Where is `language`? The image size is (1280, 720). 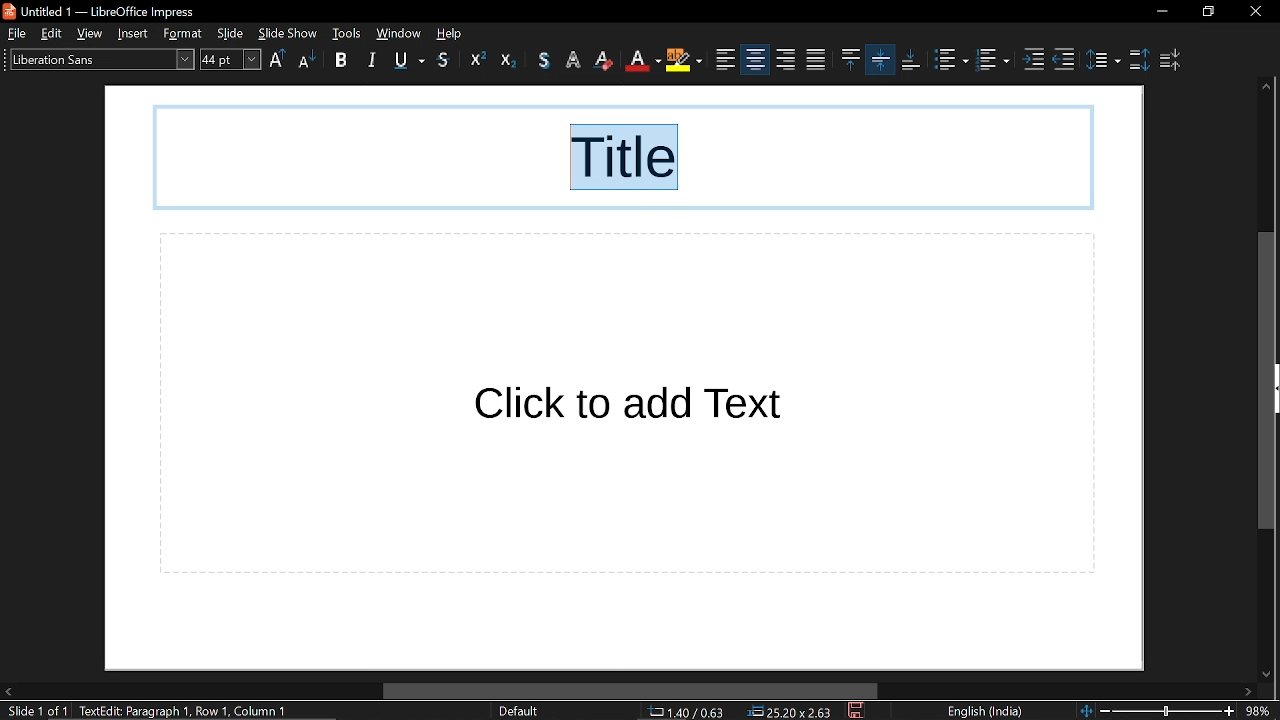 language is located at coordinates (983, 712).